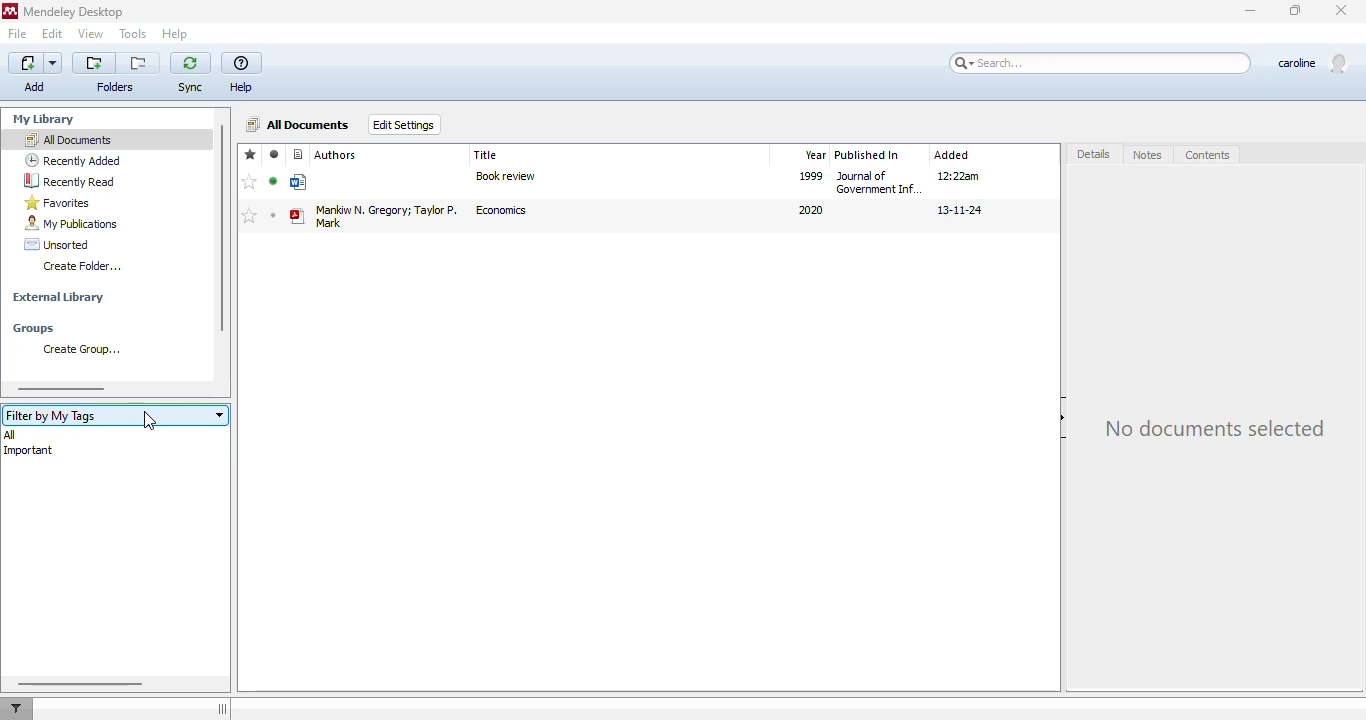 The height and width of the screenshot is (720, 1366). What do you see at coordinates (57, 244) in the screenshot?
I see `unsorted` at bounding box center [57, 244].